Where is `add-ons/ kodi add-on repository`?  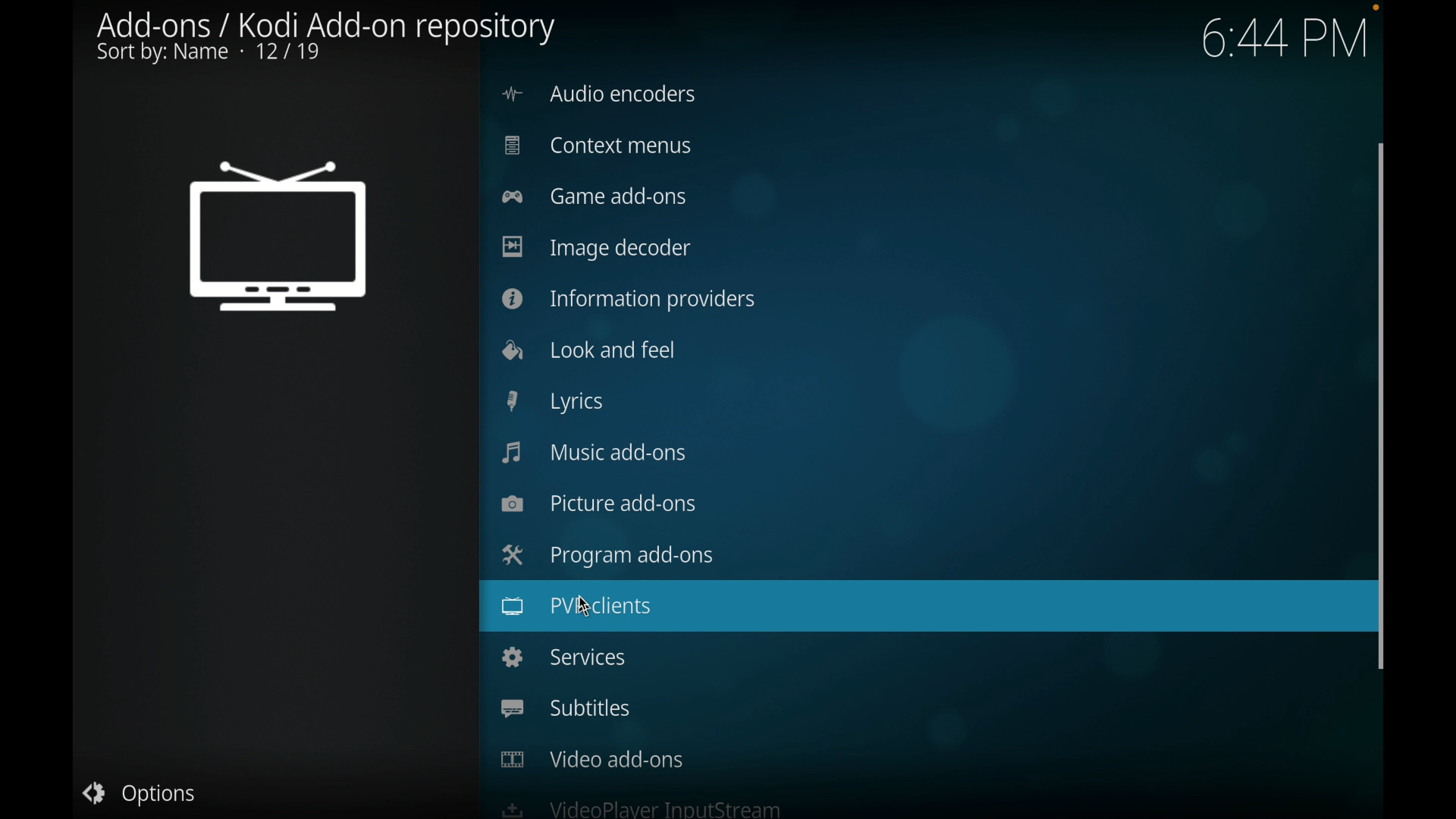
add-ons/ kodi add-on repository is located at coordinates (327, 38).